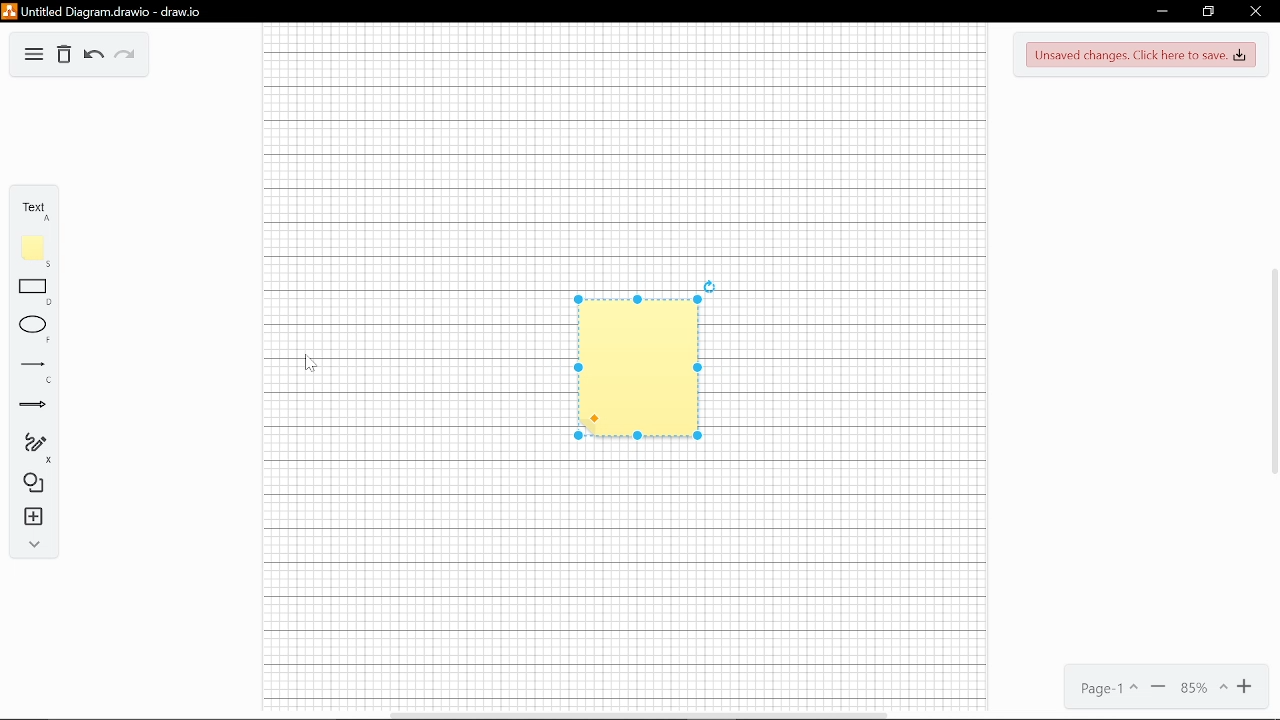 Image resolution: width=1280 pixels, height=720 pixels. Describe the element at coordinates (34, 286) in the screenshot. I see `Rectangle` at that location.